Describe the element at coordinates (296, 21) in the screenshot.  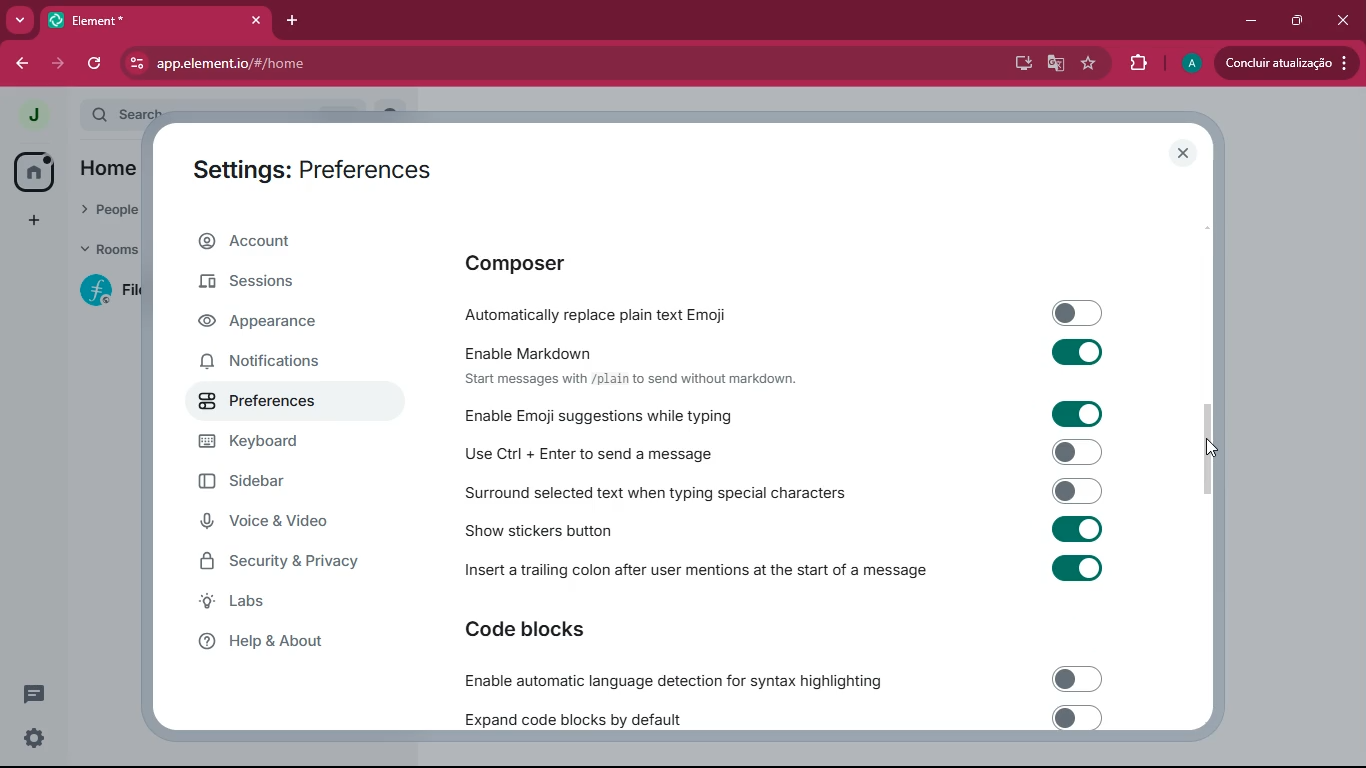
I see `add tab` at that location.